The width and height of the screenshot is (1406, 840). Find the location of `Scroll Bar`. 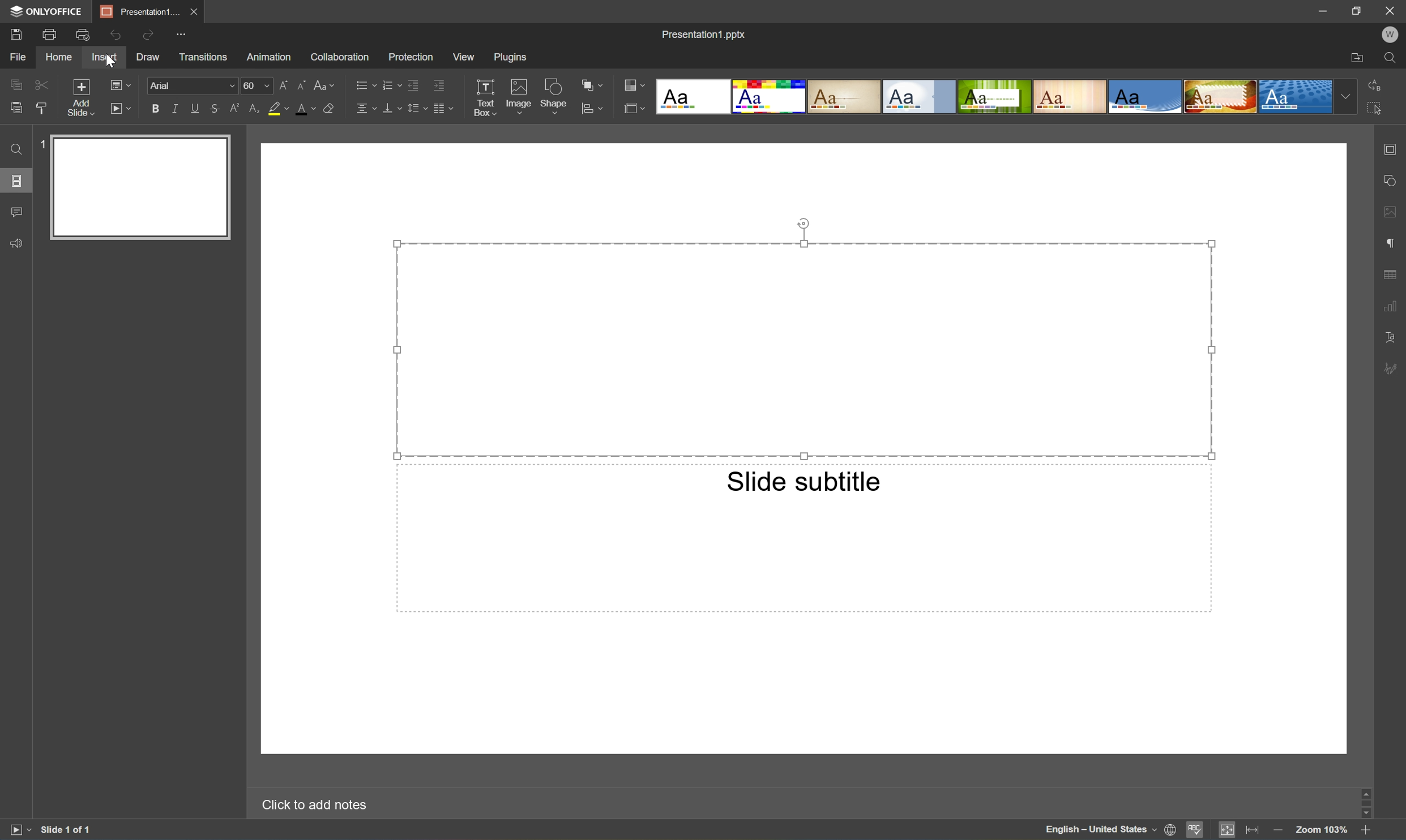

Scroll Bar is located at coordinates (1365, 803).